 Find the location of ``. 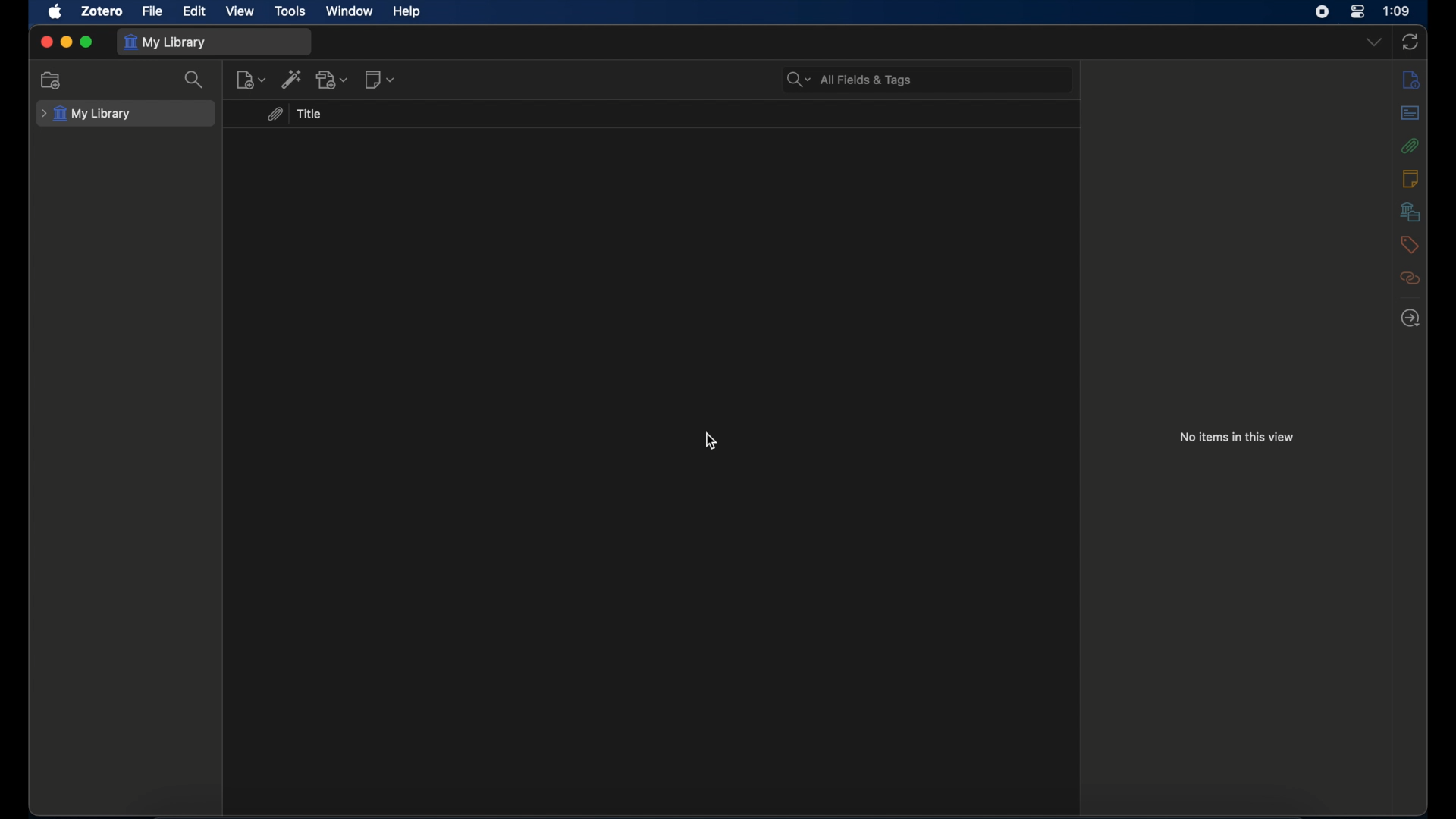

 is located at coordinates (1411, 318).